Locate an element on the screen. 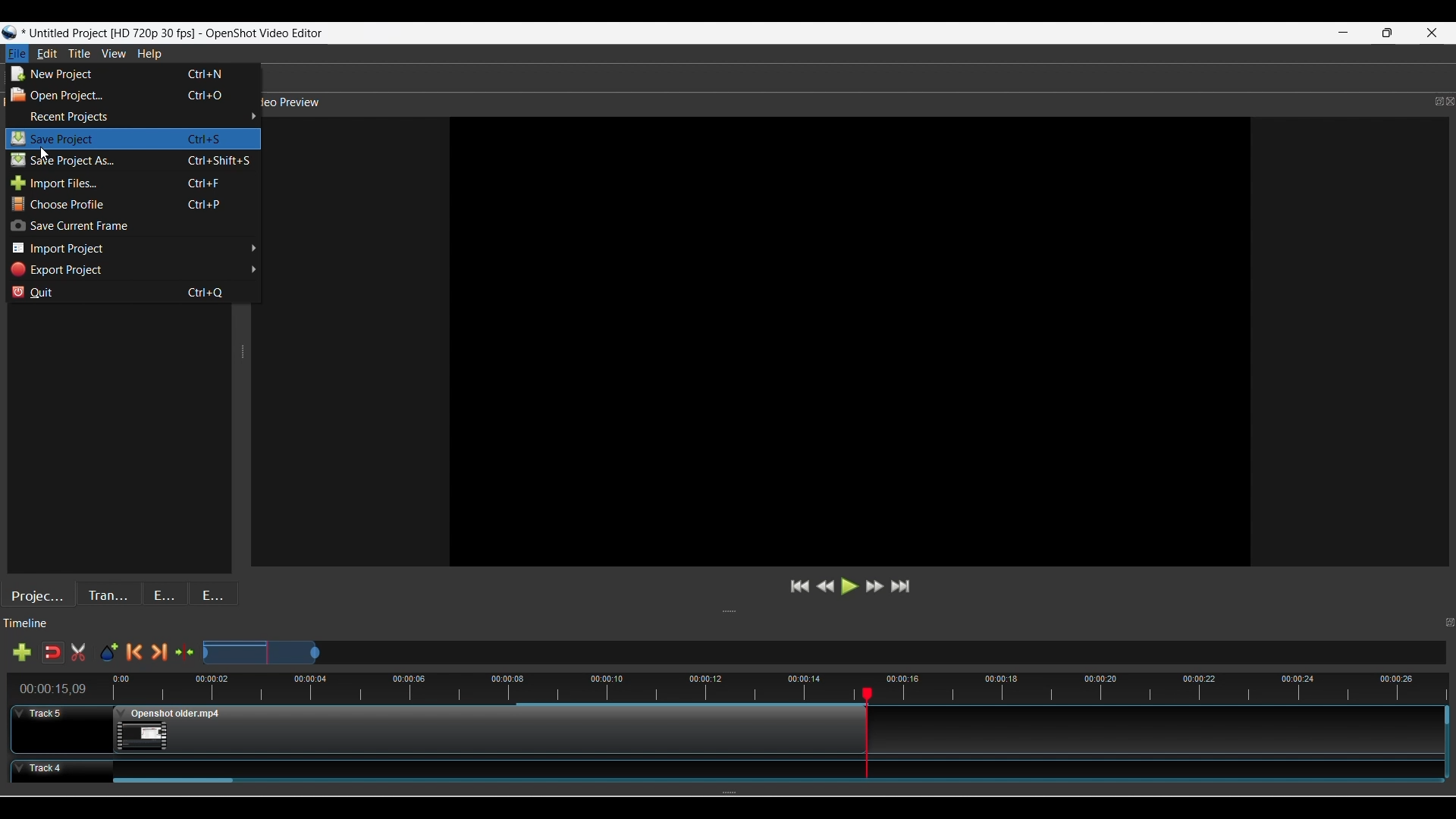 Image resolution: width=1456 pixels, height=819 pixels. Import files is located at coordinates (132, 183).